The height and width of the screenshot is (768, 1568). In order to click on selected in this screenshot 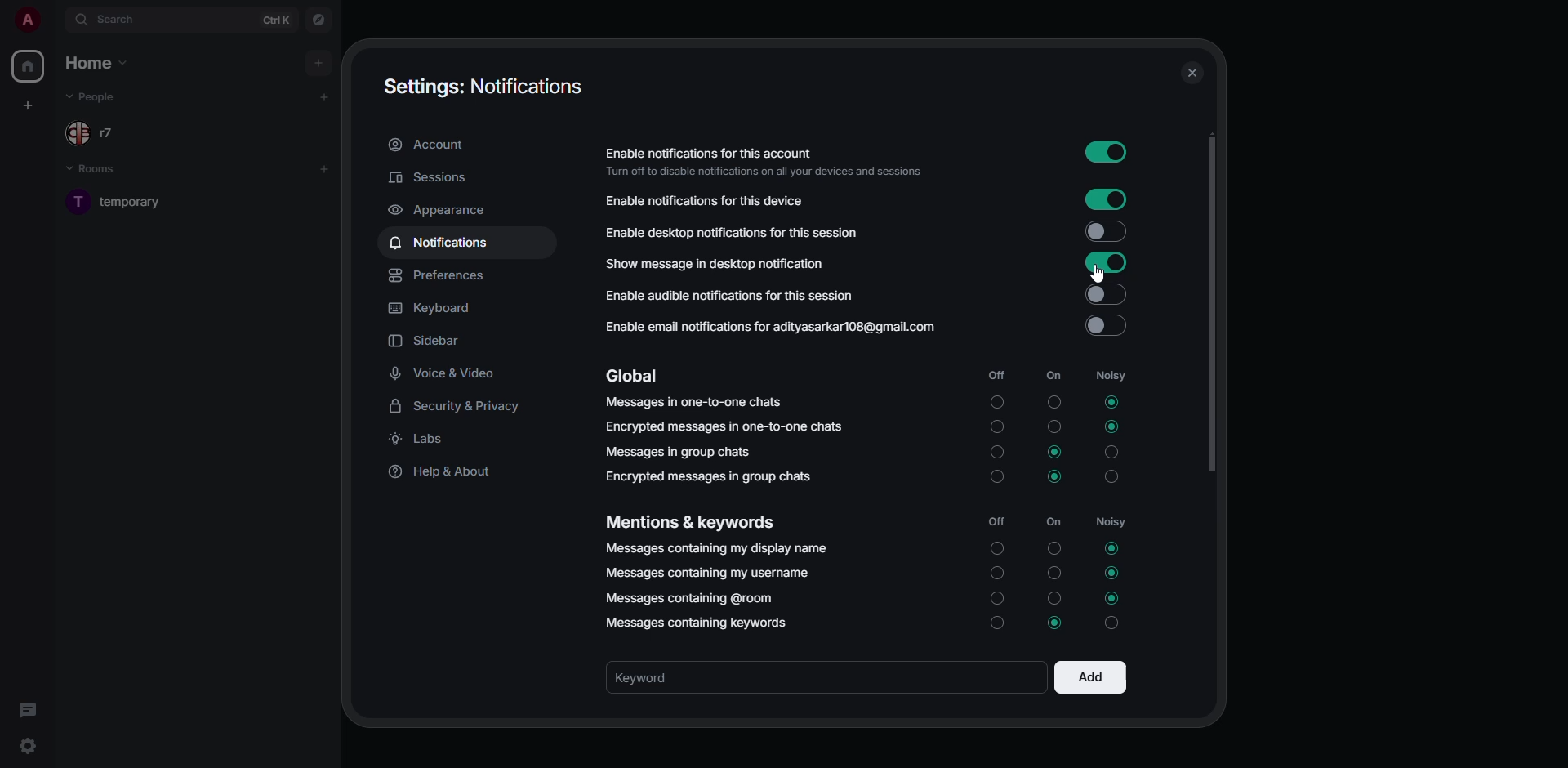, I will do `click(1111, 427)`.